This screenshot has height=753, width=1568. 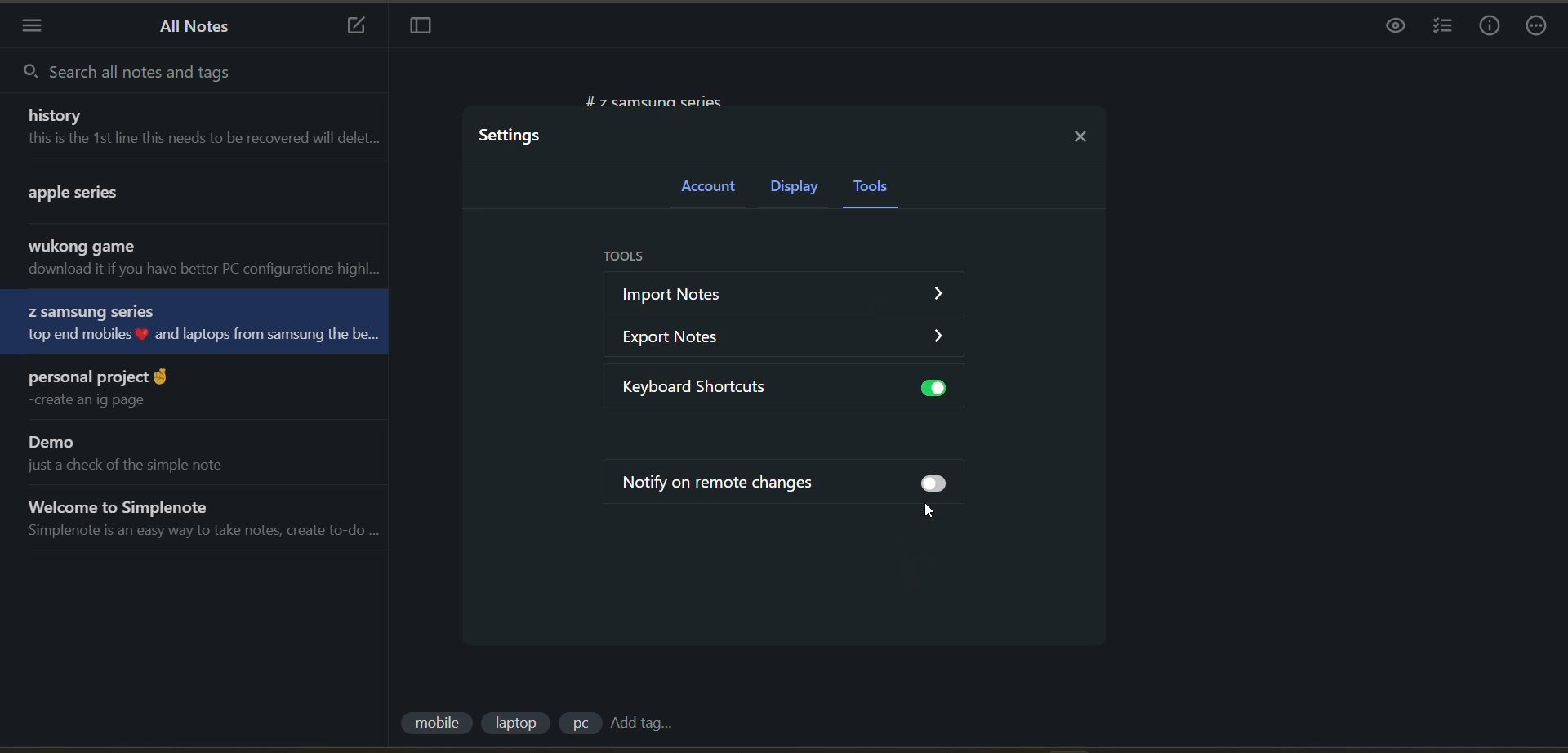 What do you see at coordinates (704, 187) in the screenshot?
I see `account` at bounding box center [704, 187].